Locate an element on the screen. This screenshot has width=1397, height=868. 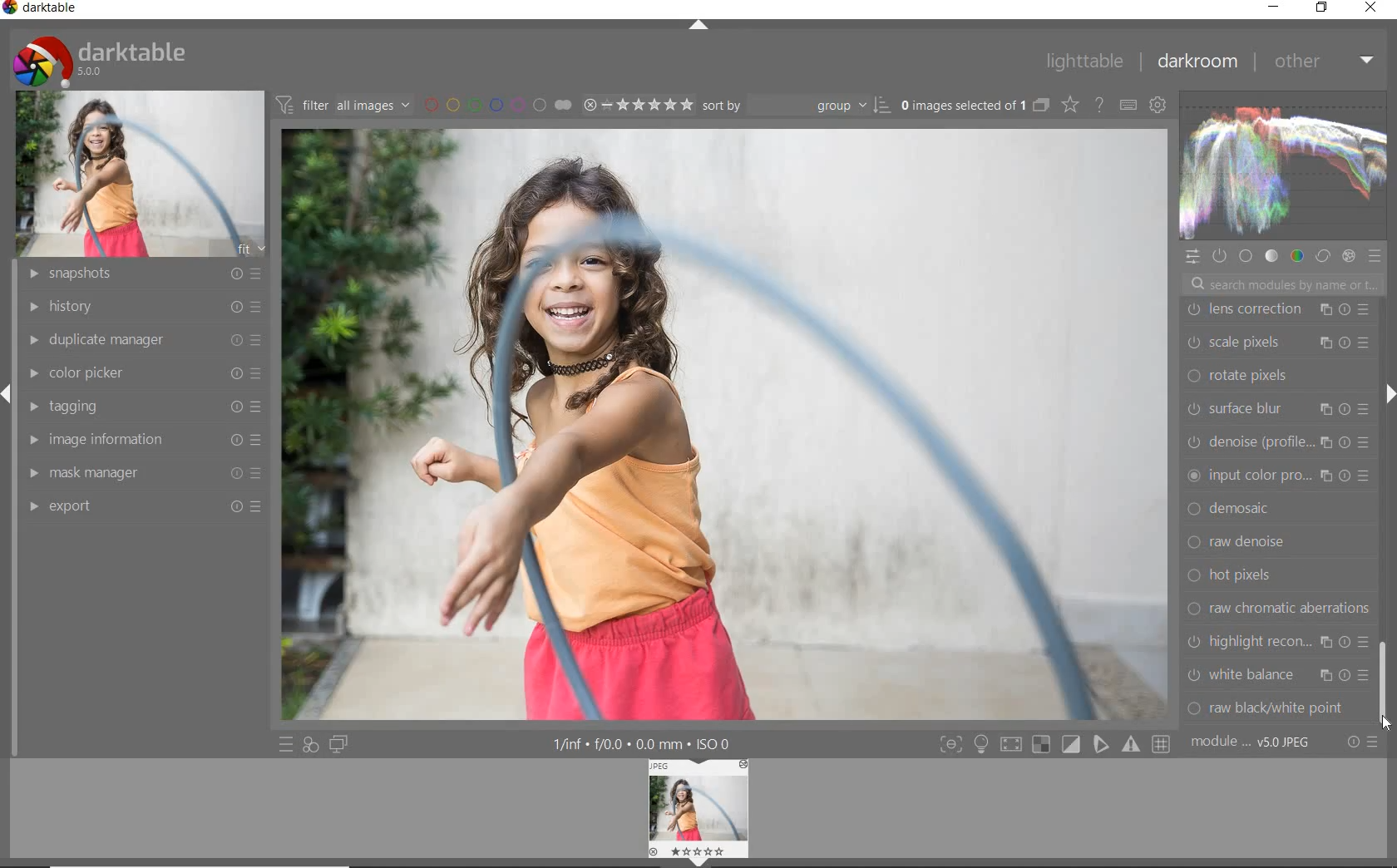
soften is located at coordinates (1281, 548).